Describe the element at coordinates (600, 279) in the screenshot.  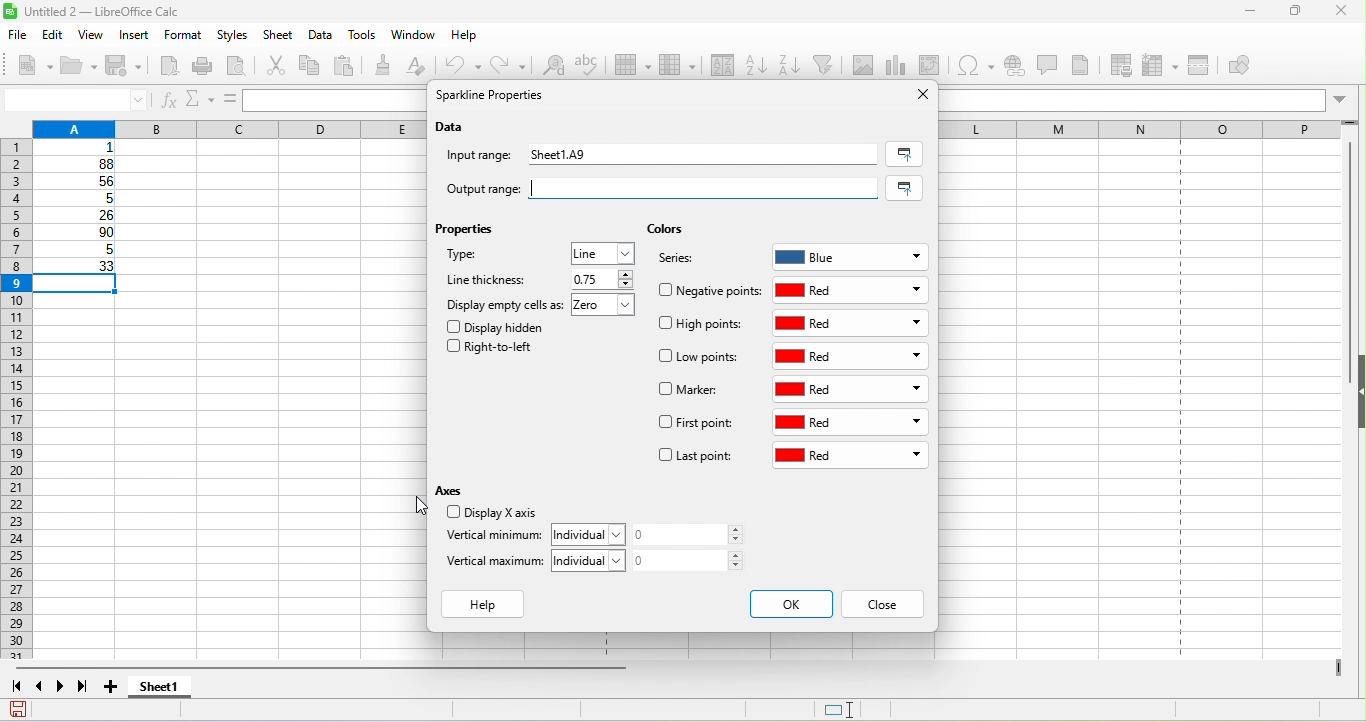
I see `0.75` at that location.